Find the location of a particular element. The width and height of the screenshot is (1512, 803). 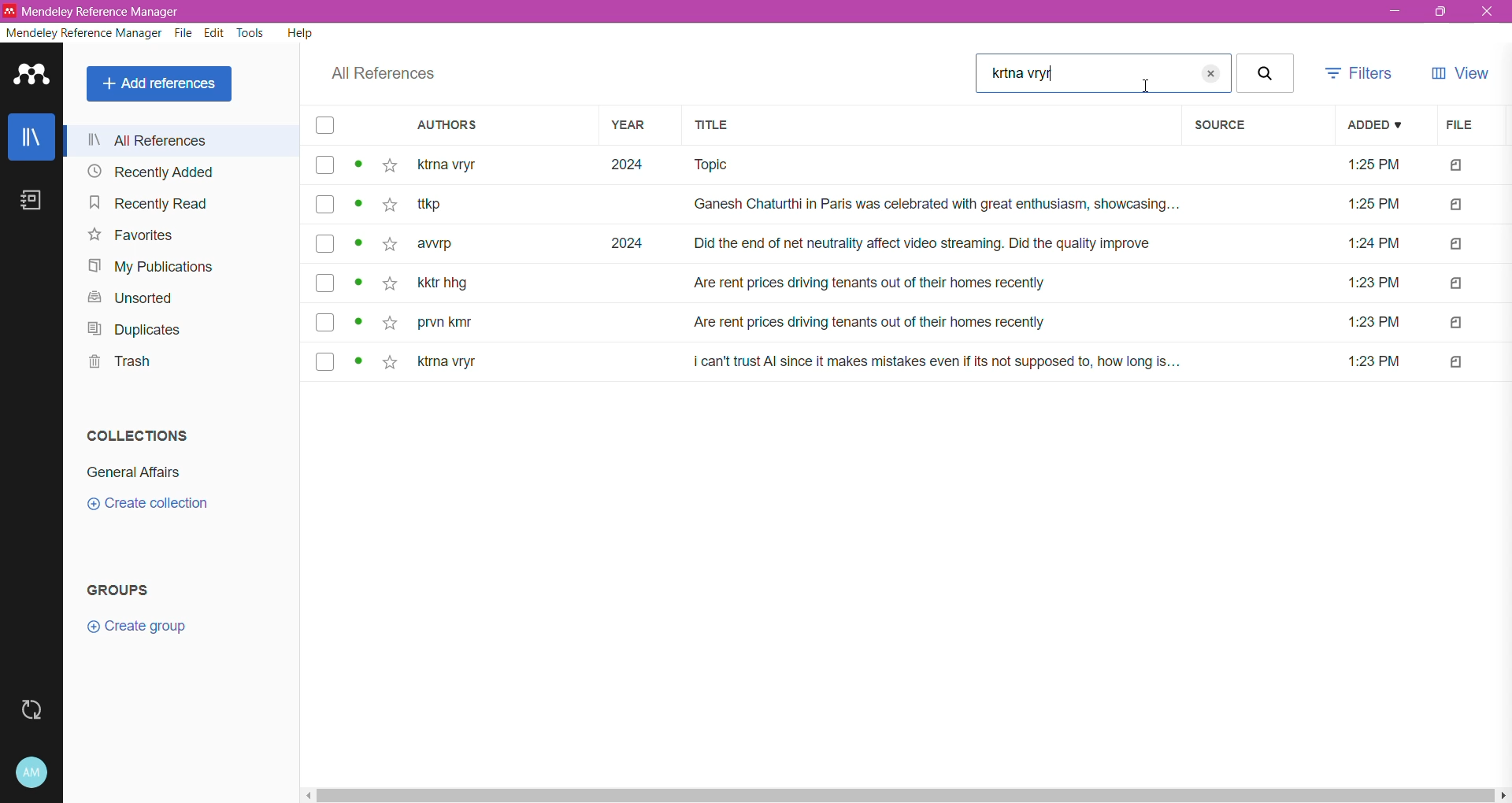

Notebook is located at coordinates (33, 205).